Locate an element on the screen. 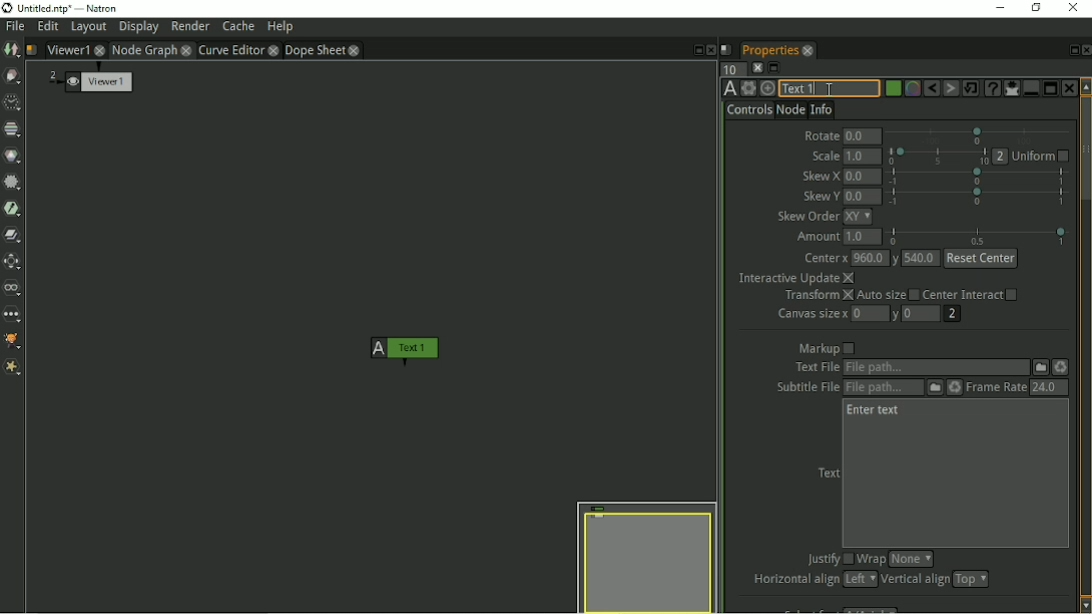  selection bar is located at coordinates (975, 134).